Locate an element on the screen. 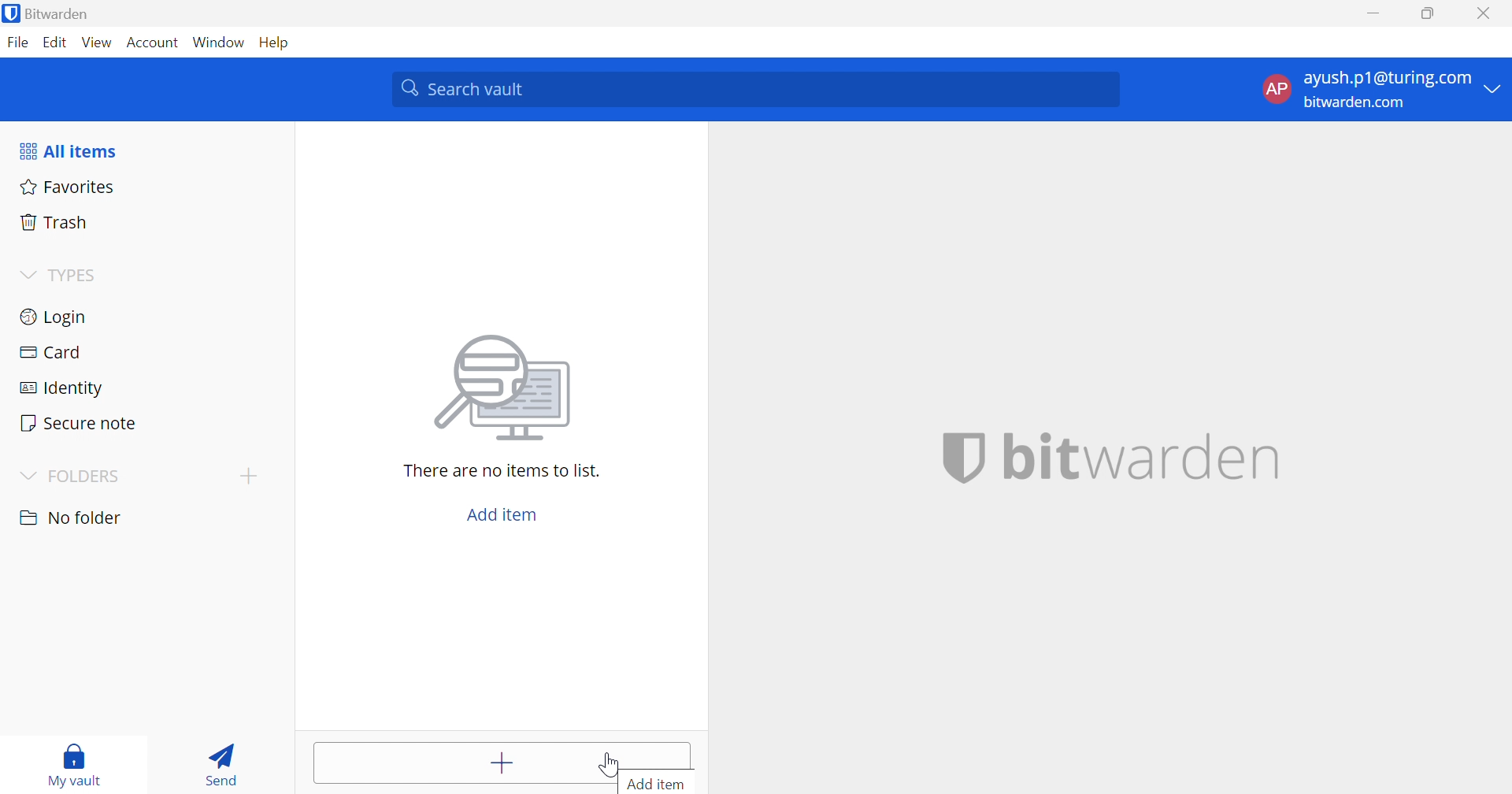  Trash is located at coordinates (59, 224).